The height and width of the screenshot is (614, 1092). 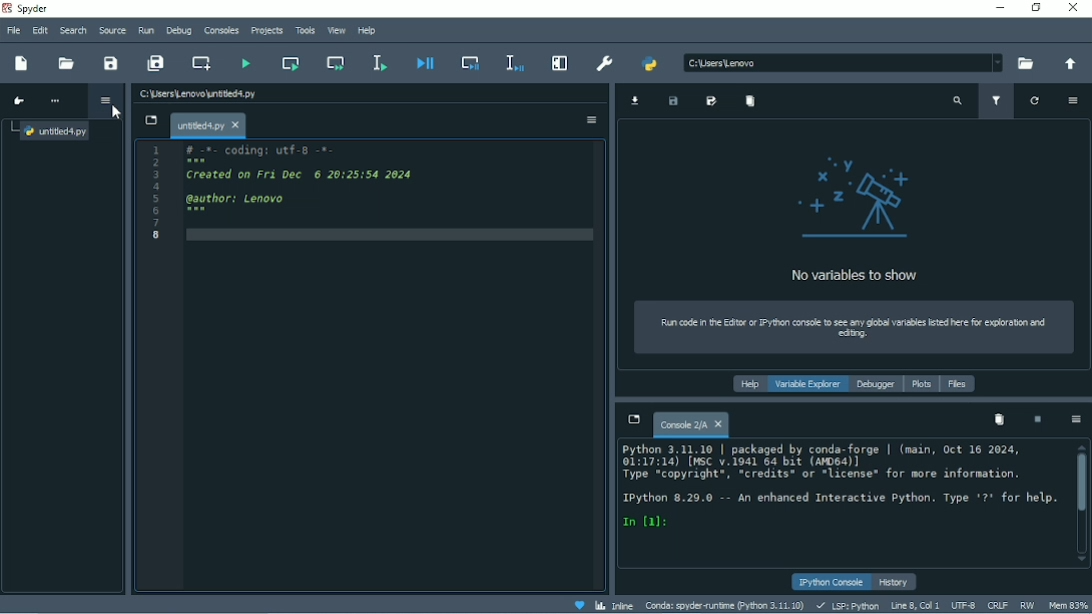 What do you see at coordinates (747, 384) in the screenshot?
I see `Help` at bounding box center [747, 384].